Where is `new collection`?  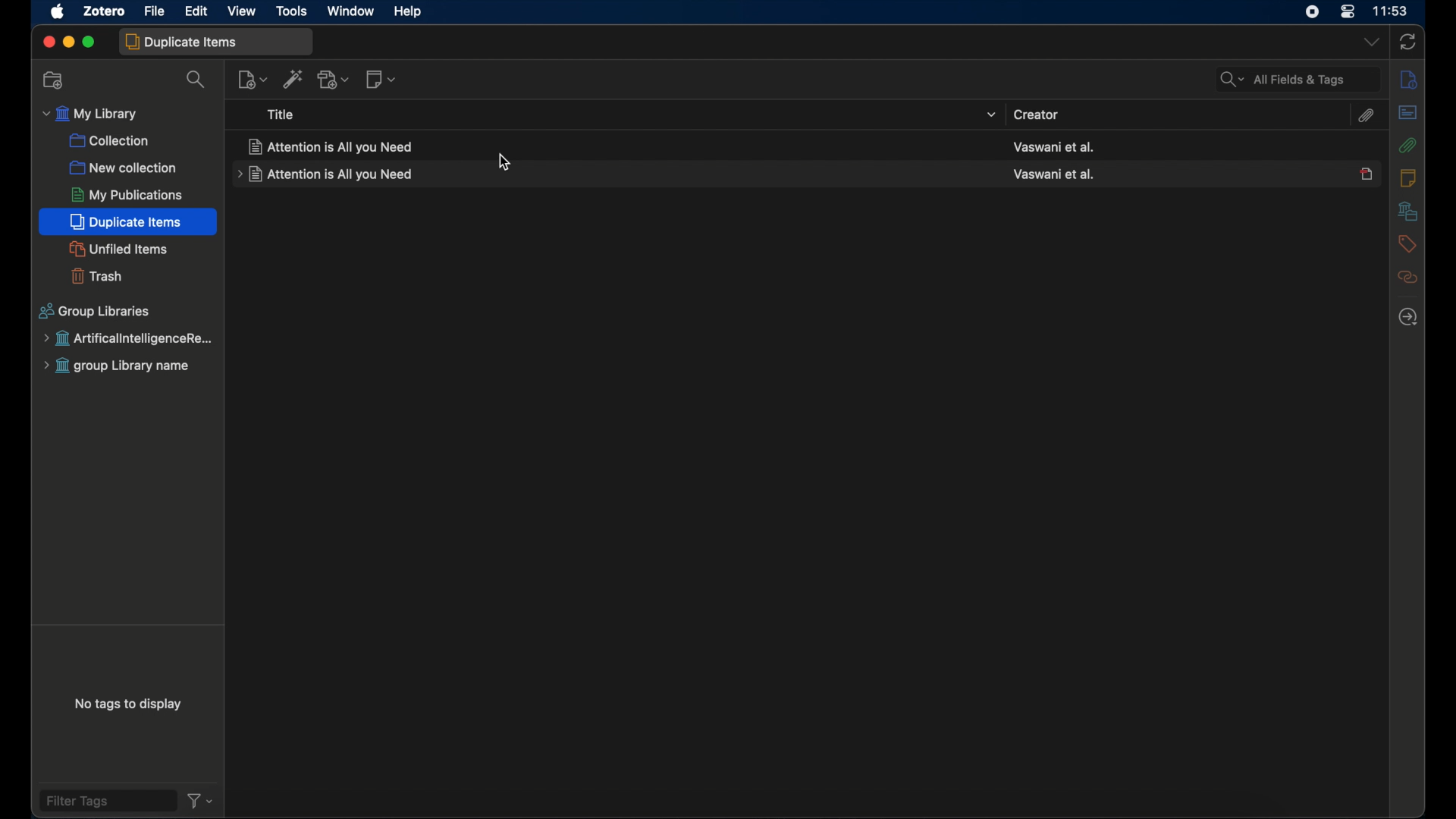 new collection is located at coordinates (54, 81).